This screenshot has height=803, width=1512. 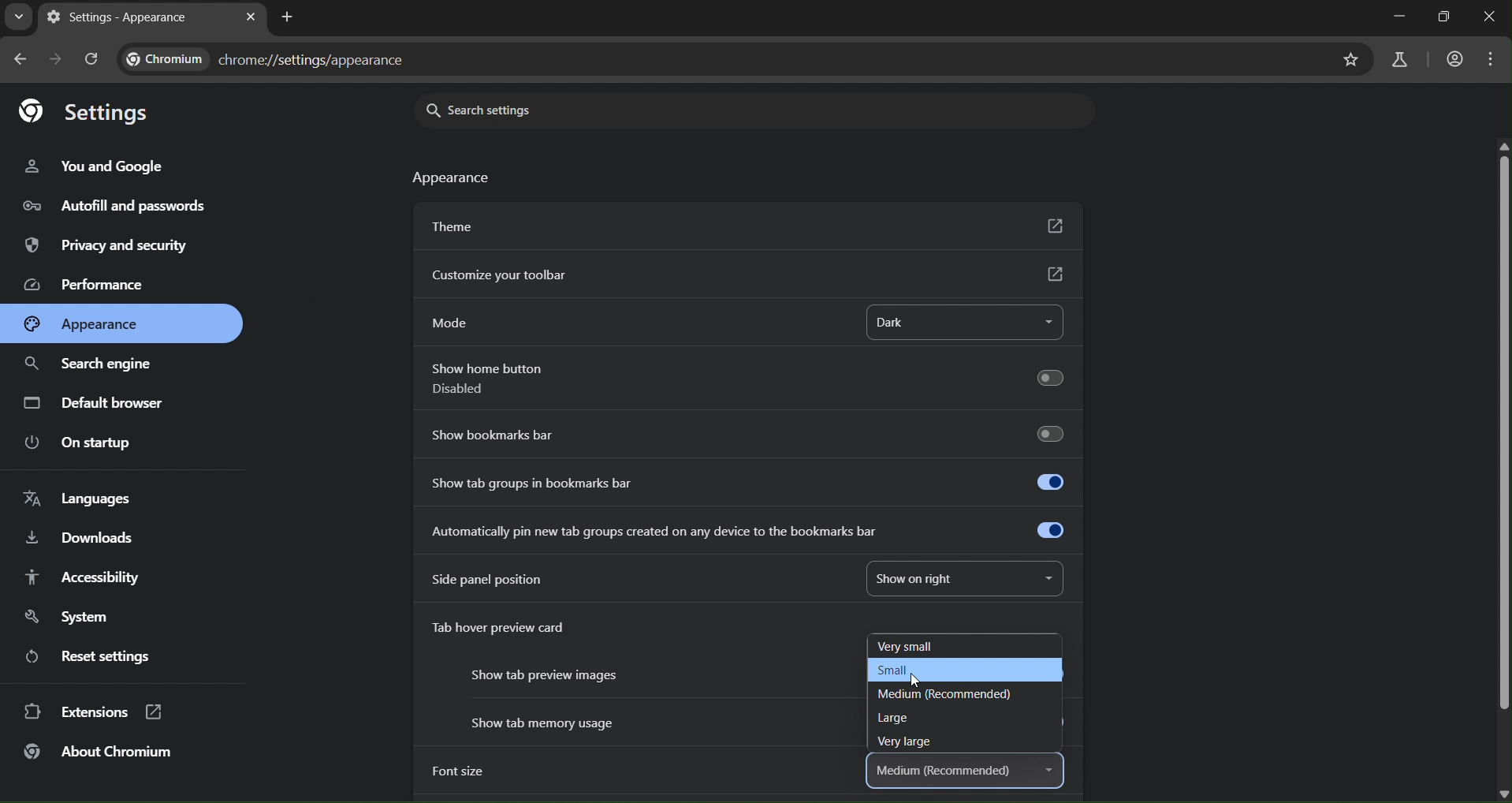 What do you see at coordinates (501, 578) in the screenshot?
I see `side panel position` at bounding box center [501, 578].